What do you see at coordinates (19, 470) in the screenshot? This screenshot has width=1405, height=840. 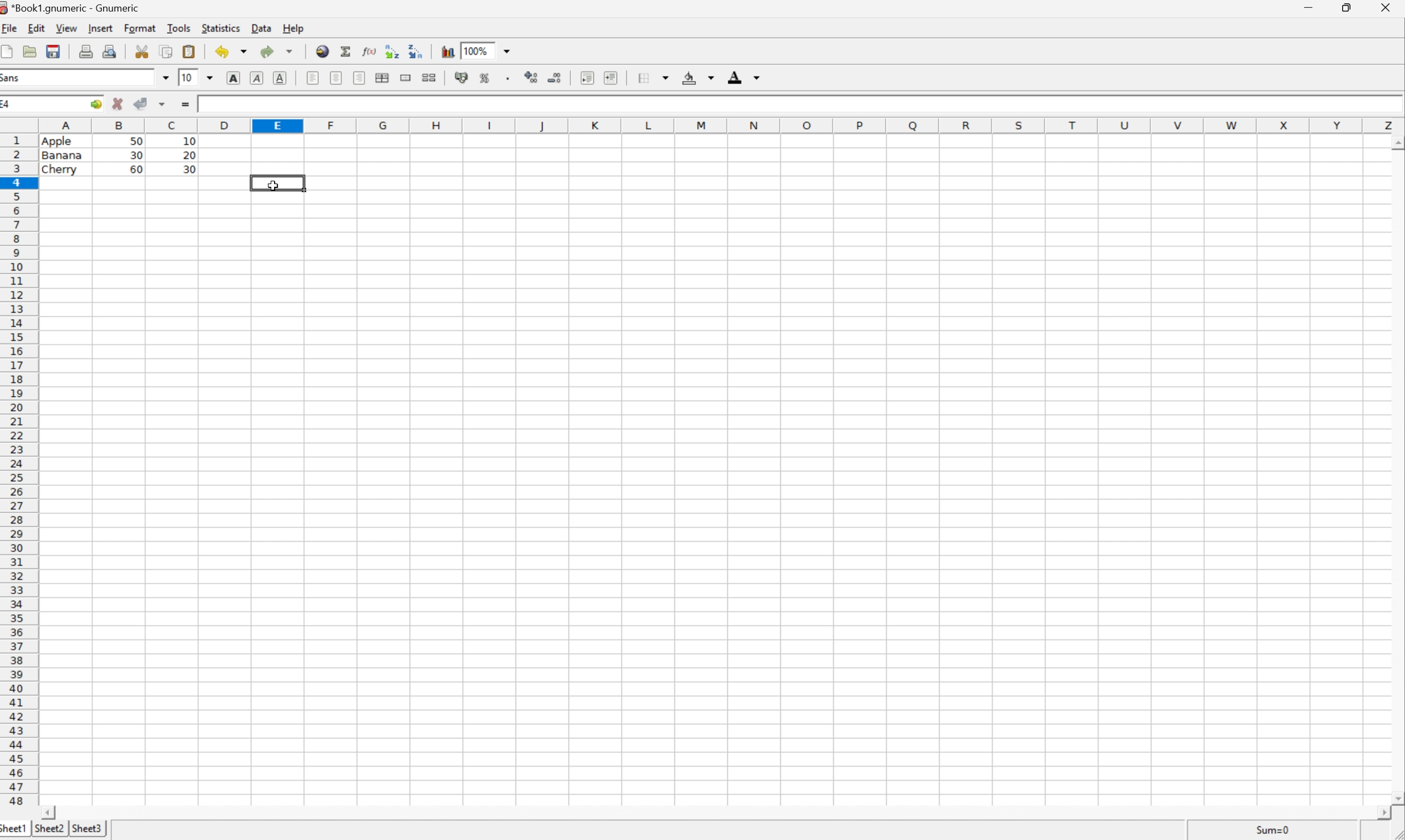 I see `row number` at bounding box center [19, 470].